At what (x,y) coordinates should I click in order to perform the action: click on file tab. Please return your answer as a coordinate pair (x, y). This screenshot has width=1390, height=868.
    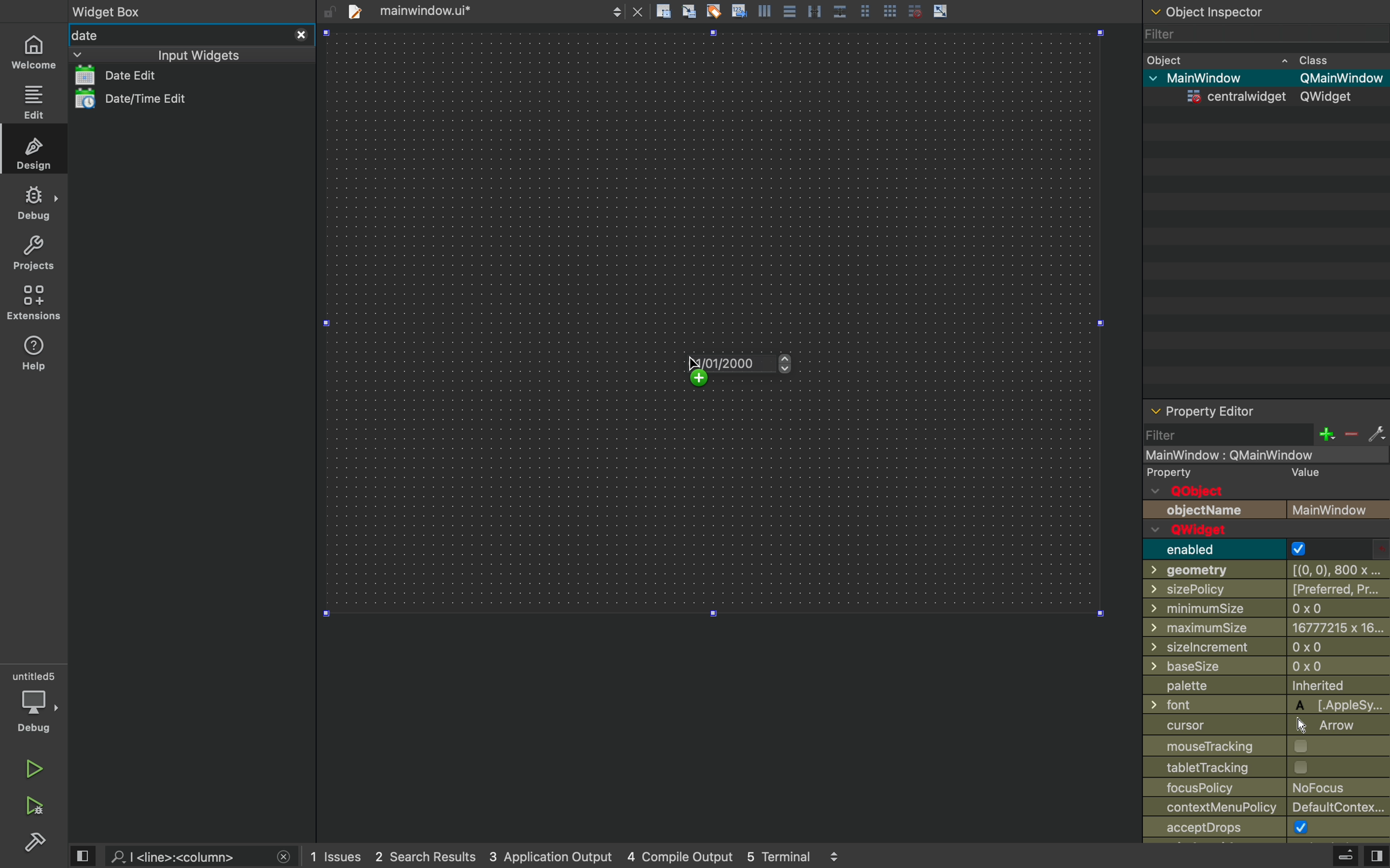
    Looking at the image, I should click on (470, 10).